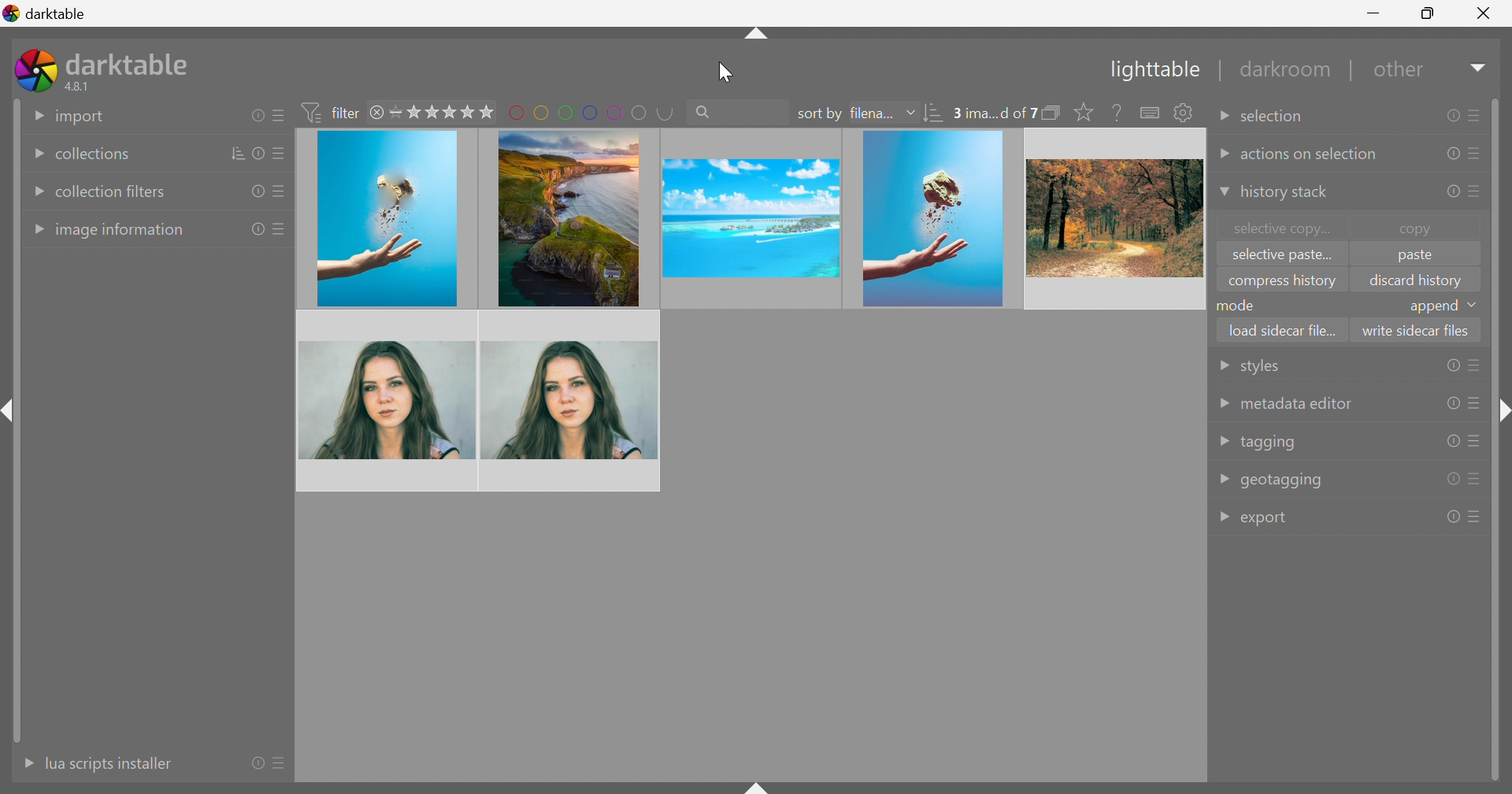 This screenshot has height=794, width=1512. Describe the element at coordinates (334, 112) in the screenshot. I see `filter` at that location.